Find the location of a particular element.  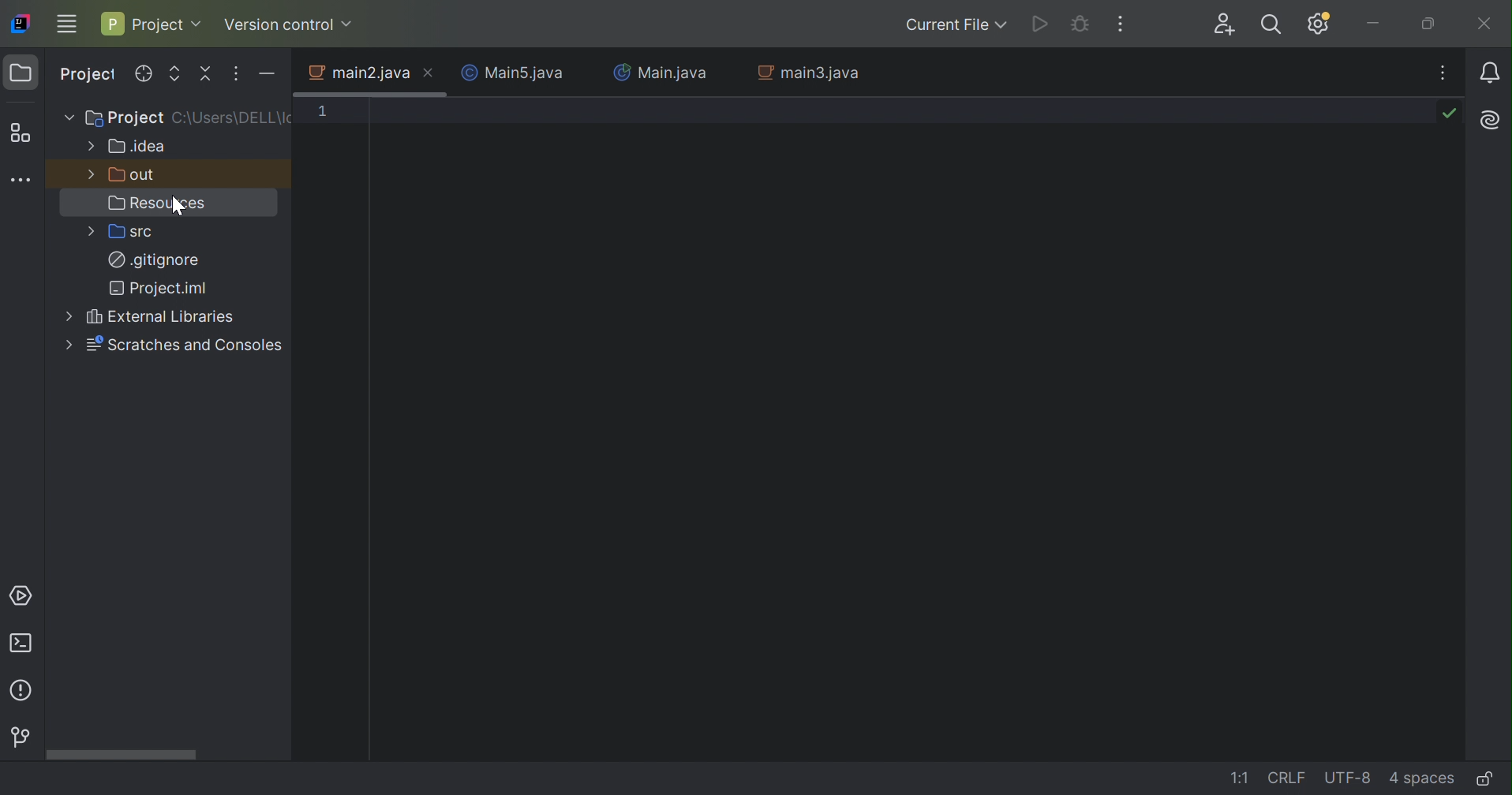

1 is located at coordinates (325, 110).